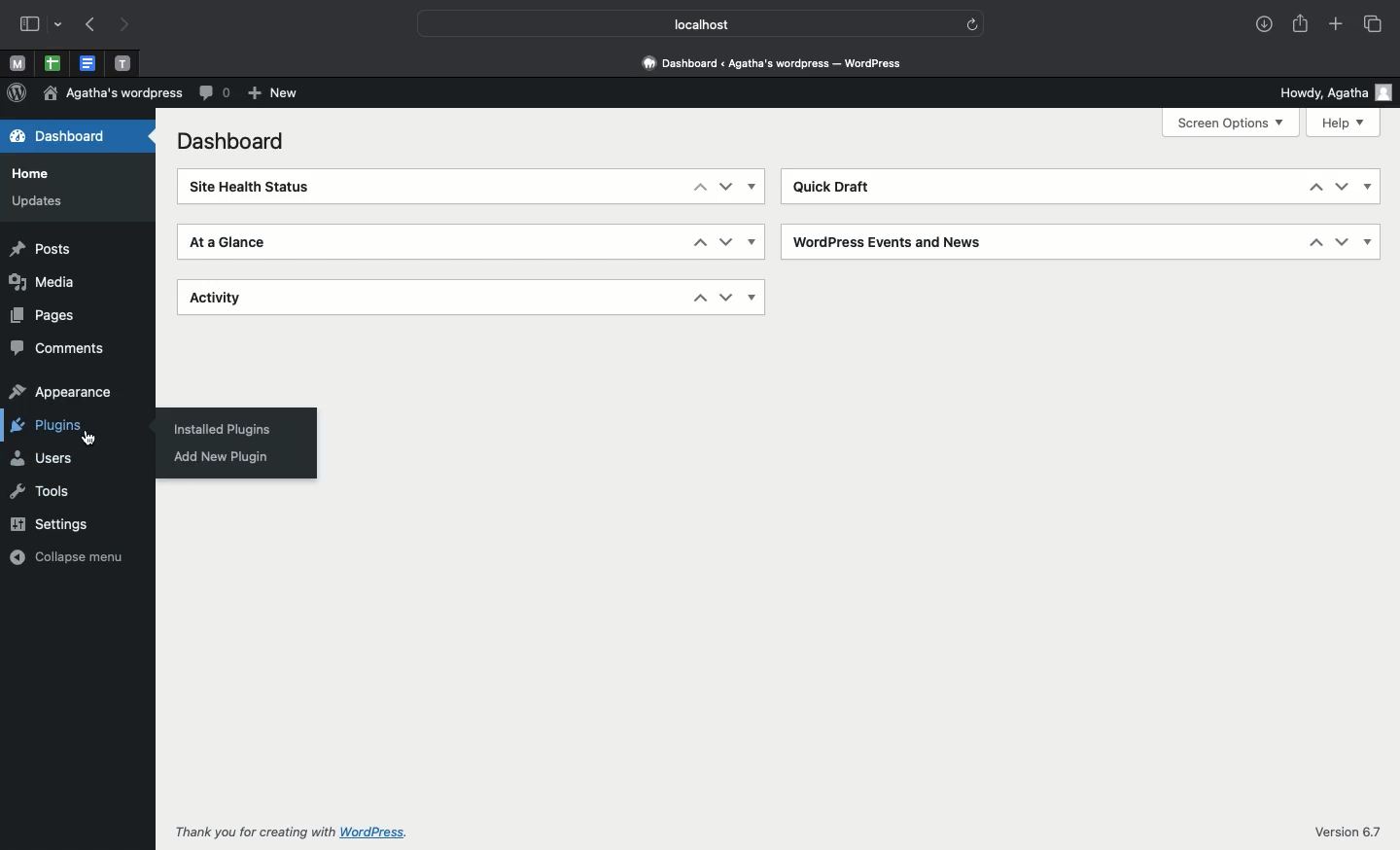 This screenshot has height=850, width=1400. I want to click on Down, so click(725, 241).